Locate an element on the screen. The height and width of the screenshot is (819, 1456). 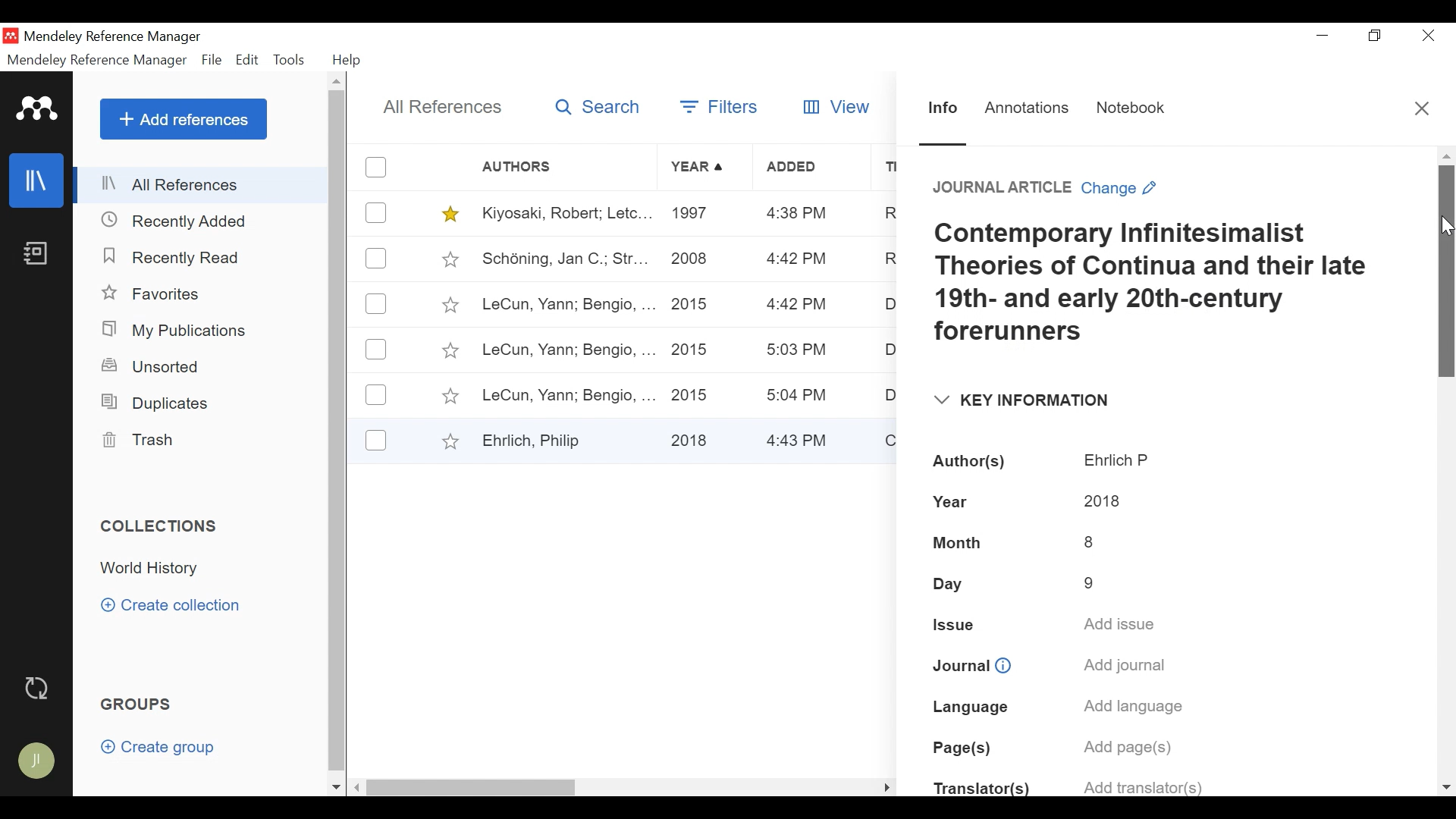
Change is located at coordinates (1125, 189).